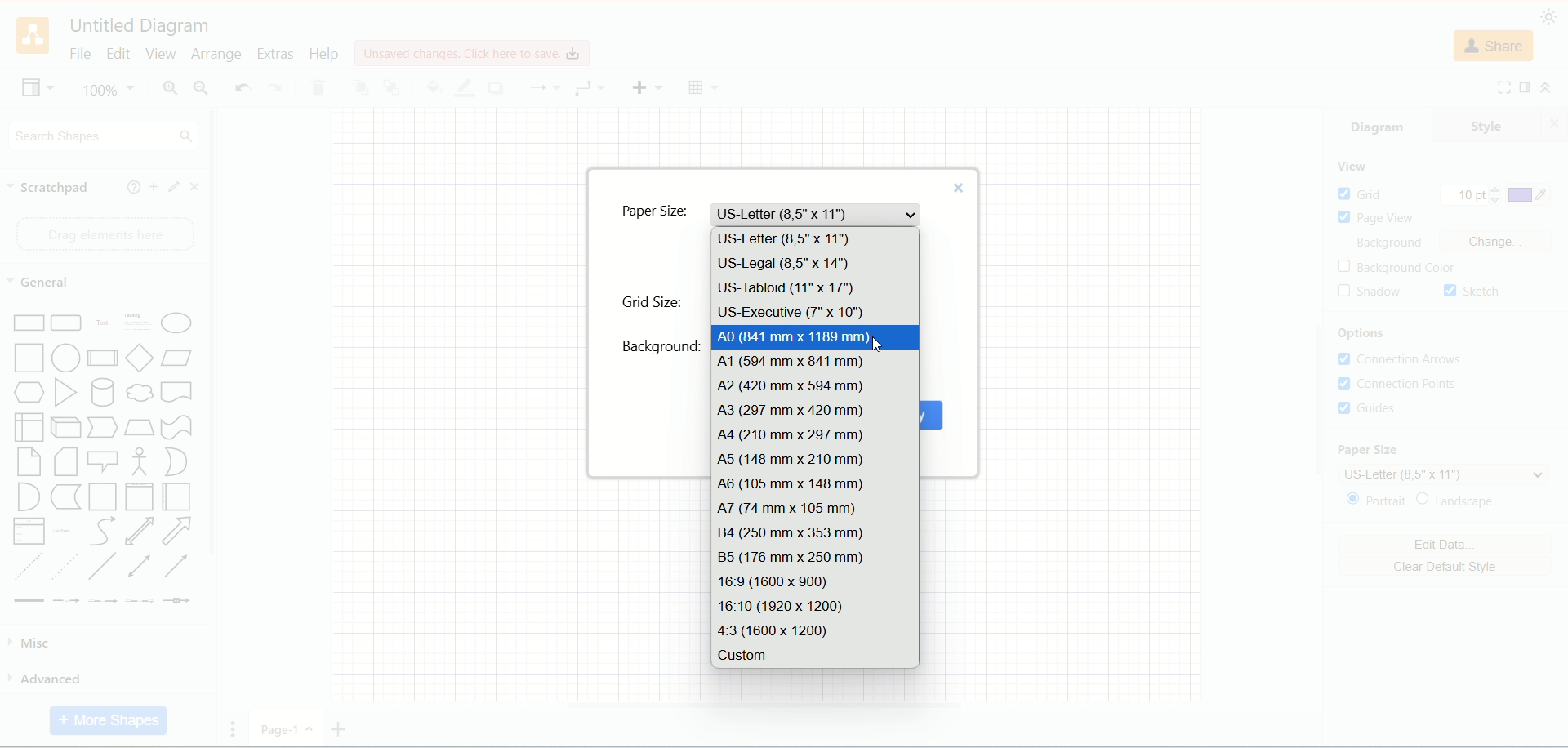 The height and width of the screenshot is (748, 1568). What do you see at coordinates (102, 533) in the screenshot?
I see `Curves` at bounding box center [102, 533].